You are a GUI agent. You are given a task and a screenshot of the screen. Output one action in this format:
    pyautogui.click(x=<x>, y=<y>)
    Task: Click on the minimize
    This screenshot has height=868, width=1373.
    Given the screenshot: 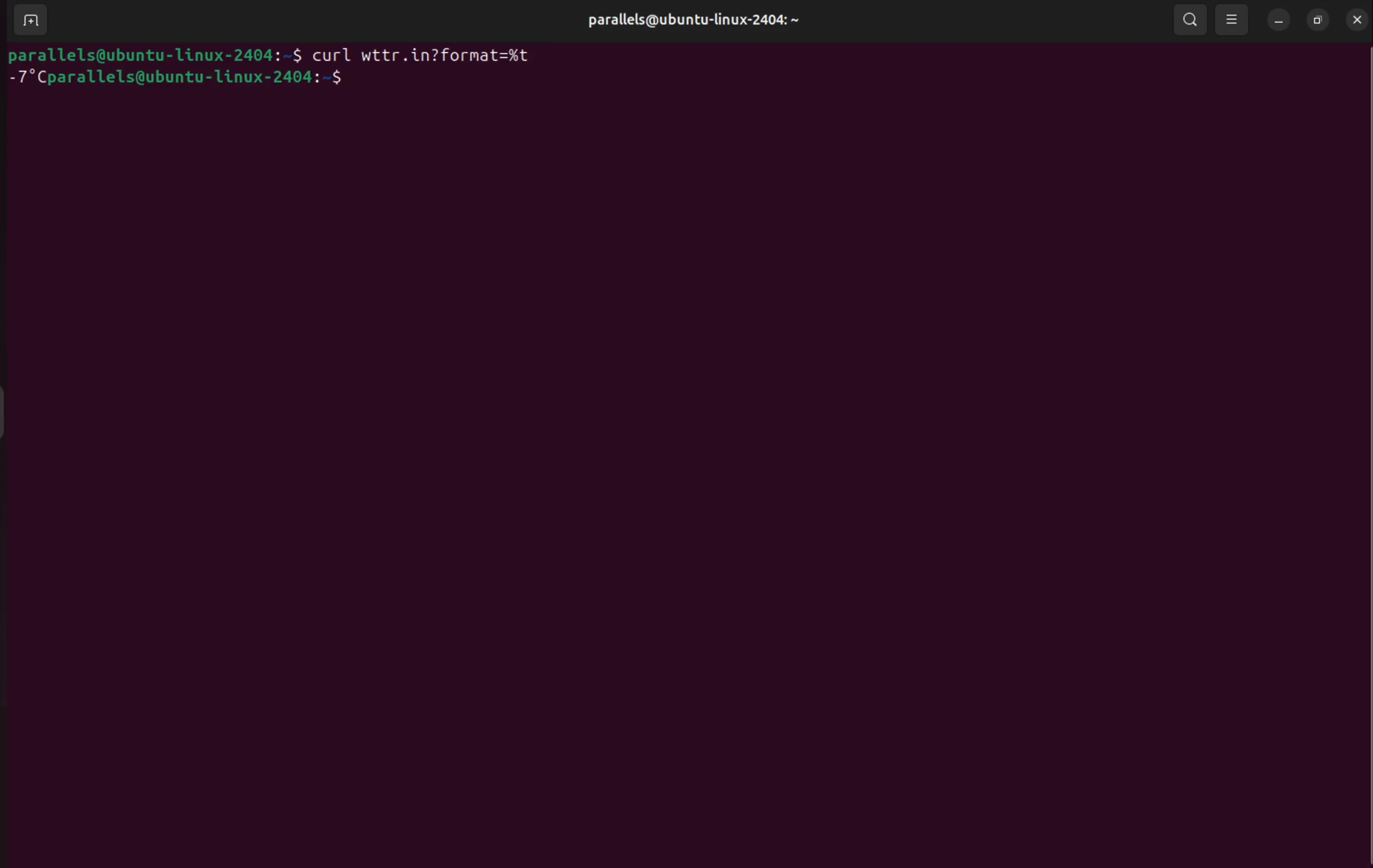 What is the action you would take?
    pyautogui.click(x=1277, y=21)
    